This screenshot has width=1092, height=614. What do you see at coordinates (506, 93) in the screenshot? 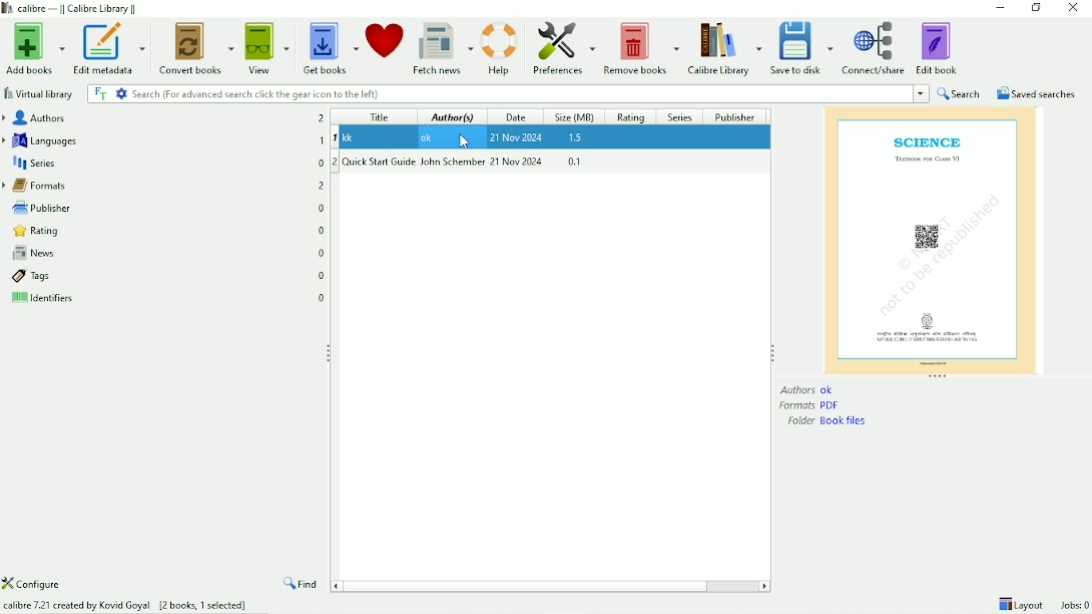
I see `Search` at bounding box center [506, 93].